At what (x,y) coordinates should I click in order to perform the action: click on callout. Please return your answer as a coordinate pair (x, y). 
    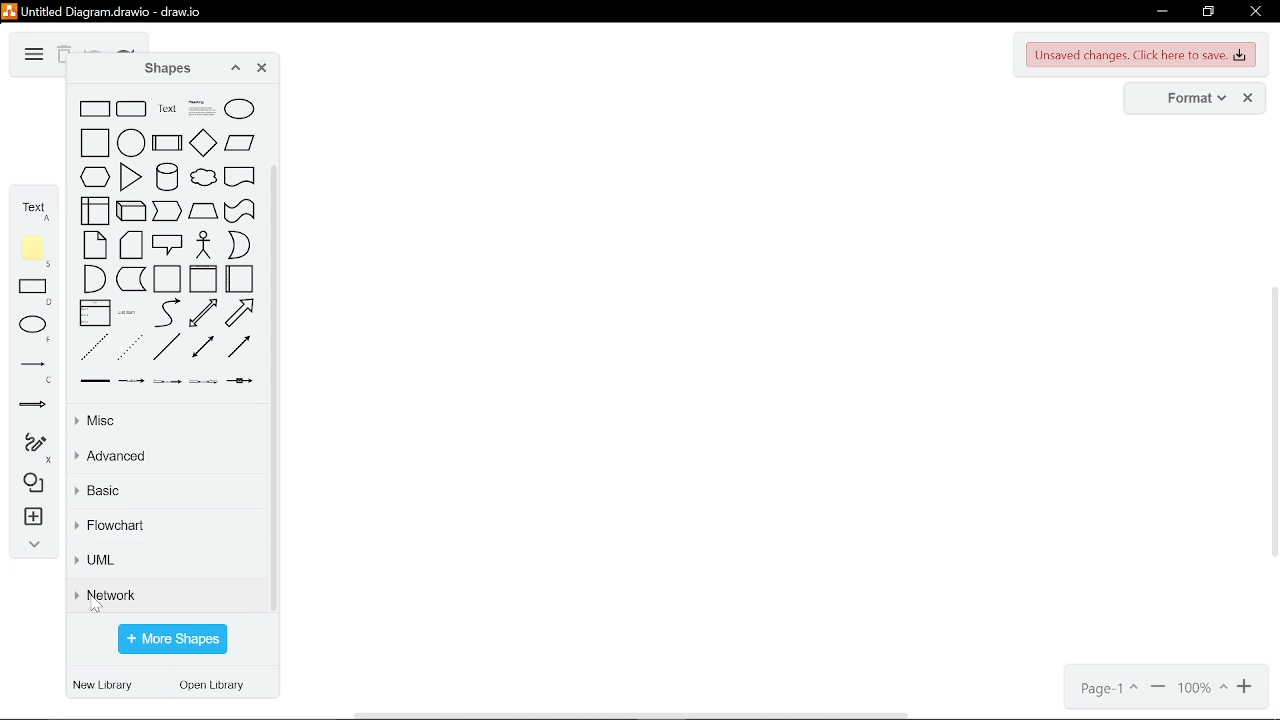
    Looking at the image, I should click on (168, 244).